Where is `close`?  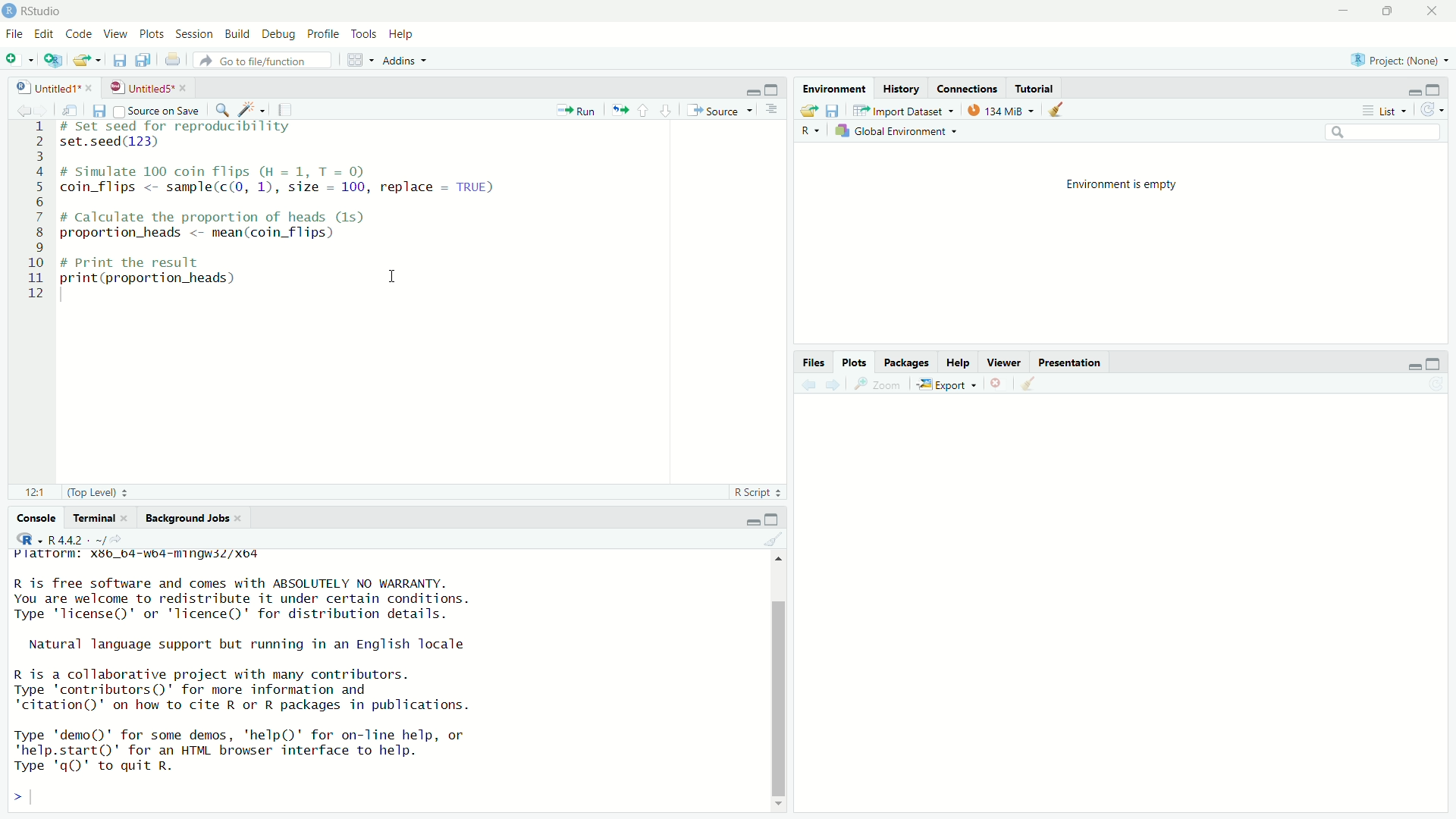 close is located at coordinates (90, 86).